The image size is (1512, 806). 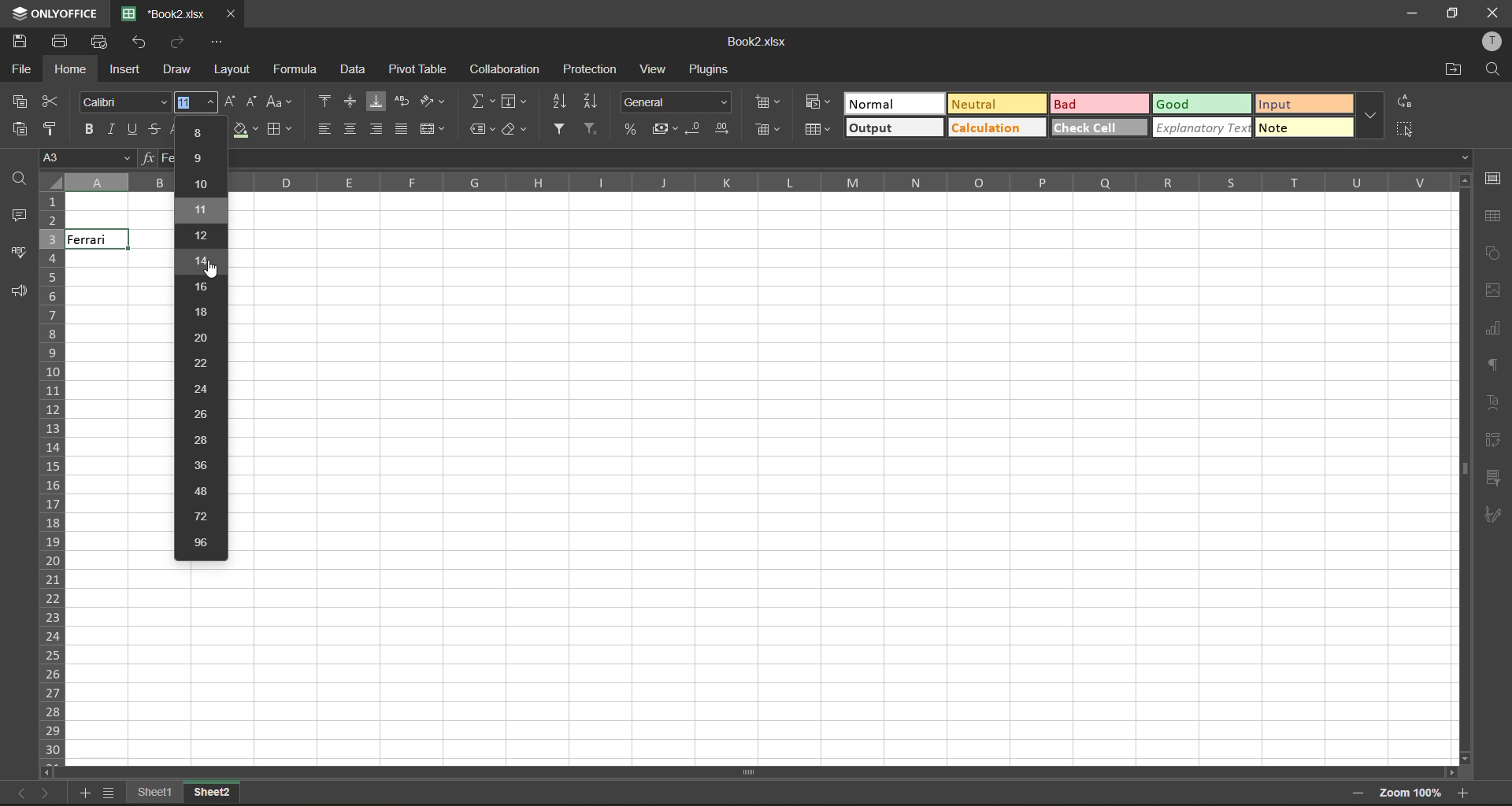 What do you see at coordinates (516, 130) in the screenshot?
I see `clear` at bounding box center [516, 130].